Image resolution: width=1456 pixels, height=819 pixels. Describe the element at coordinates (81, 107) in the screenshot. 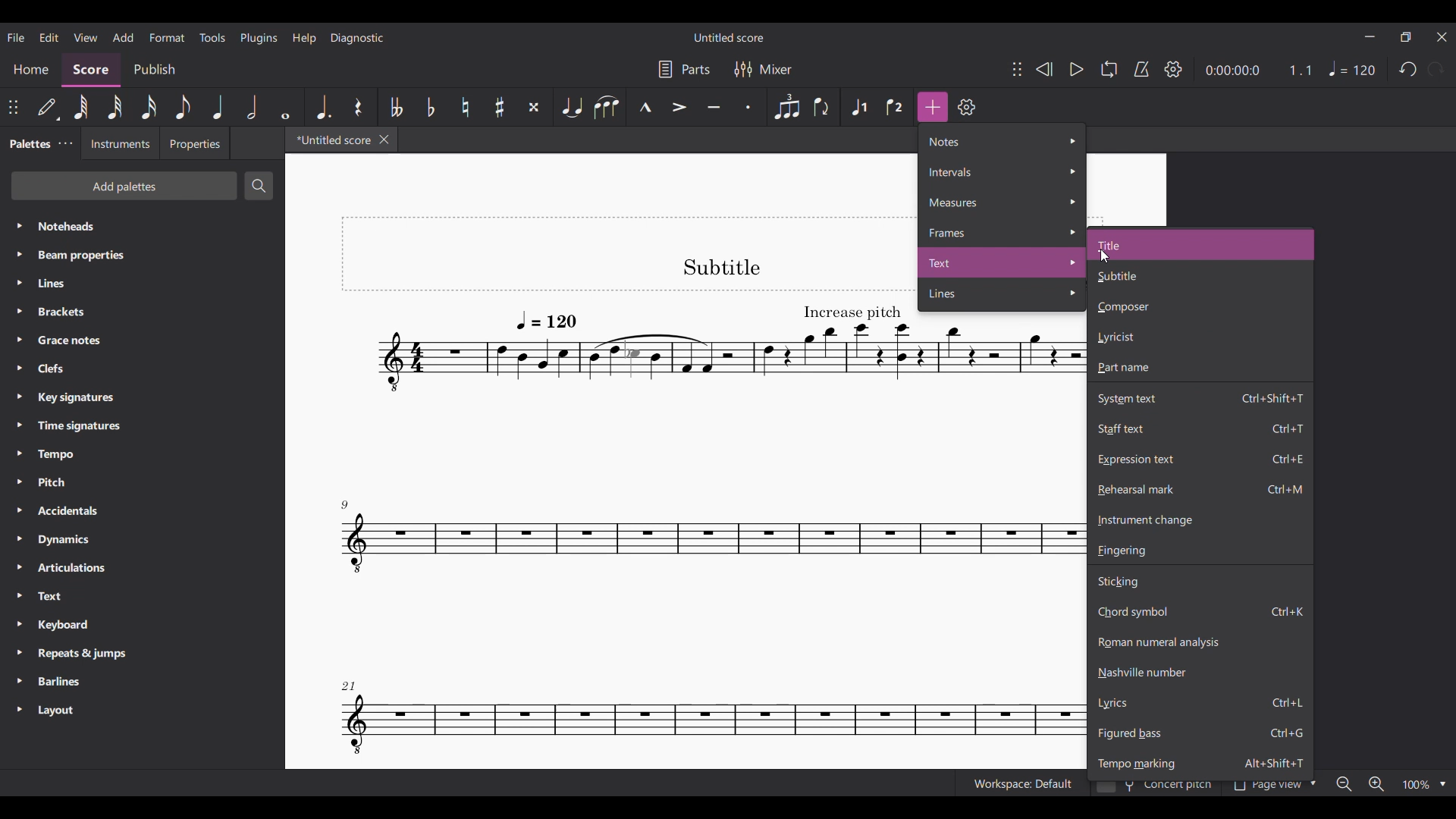

I see `64th note` at that location.